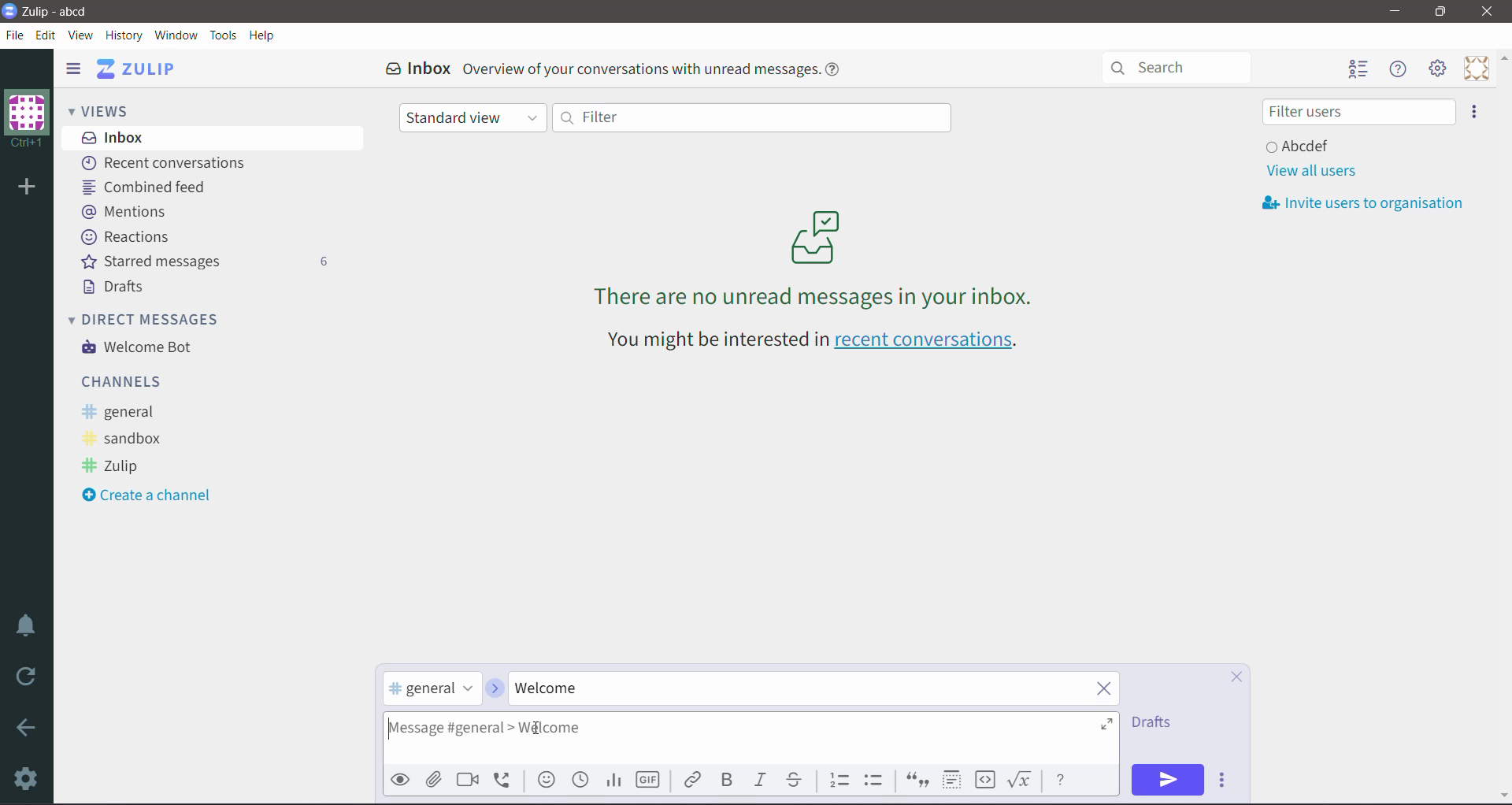 The width and height of the screenshot is (1512, 805). Describe the element at coordinates (1157, 722) in the screenshot. I see `Drafts` at that location.